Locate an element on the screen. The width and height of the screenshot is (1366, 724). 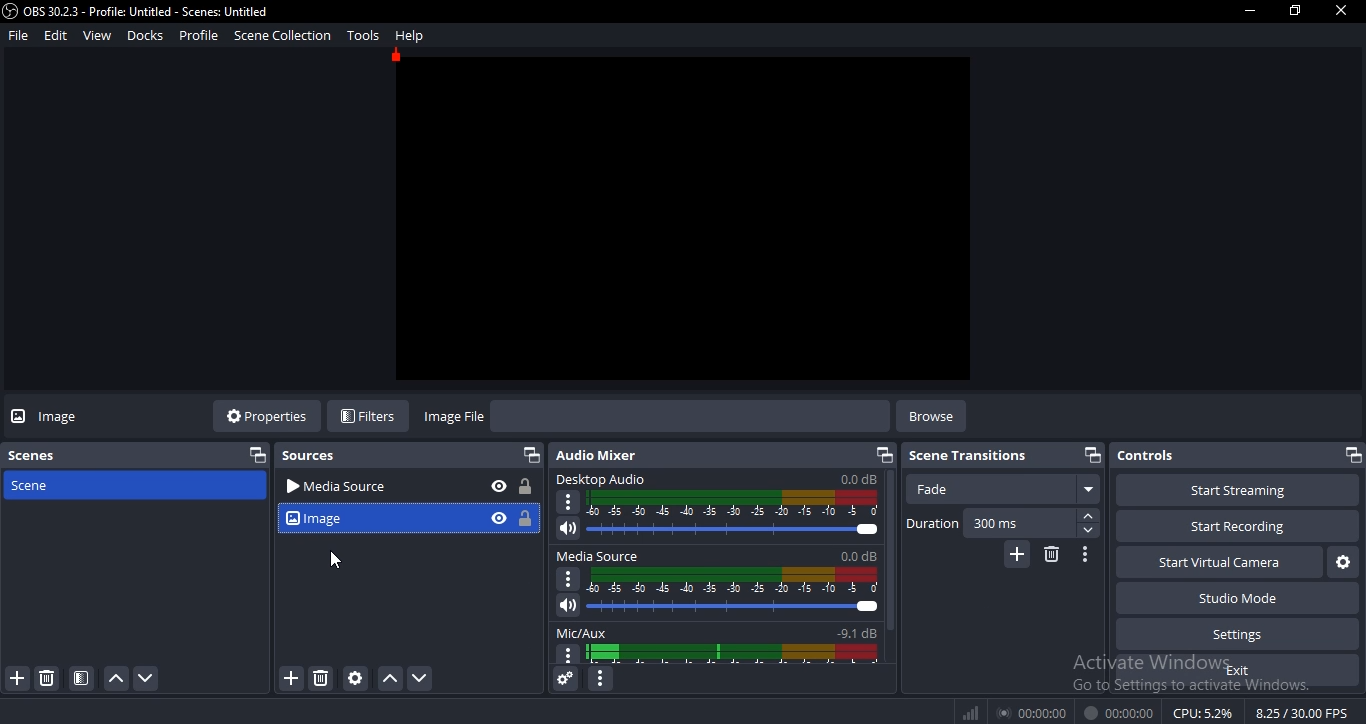
duration is located at coordinates (933, 522).